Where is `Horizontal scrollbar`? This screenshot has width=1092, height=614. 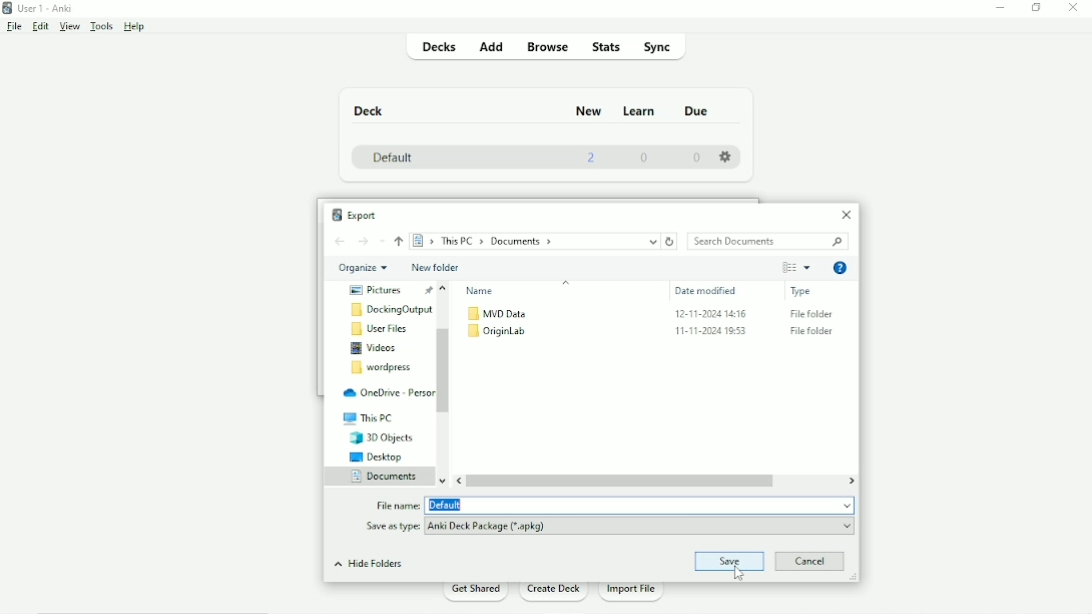
Horizontal scrollbar is located at coordinates (659, 483).